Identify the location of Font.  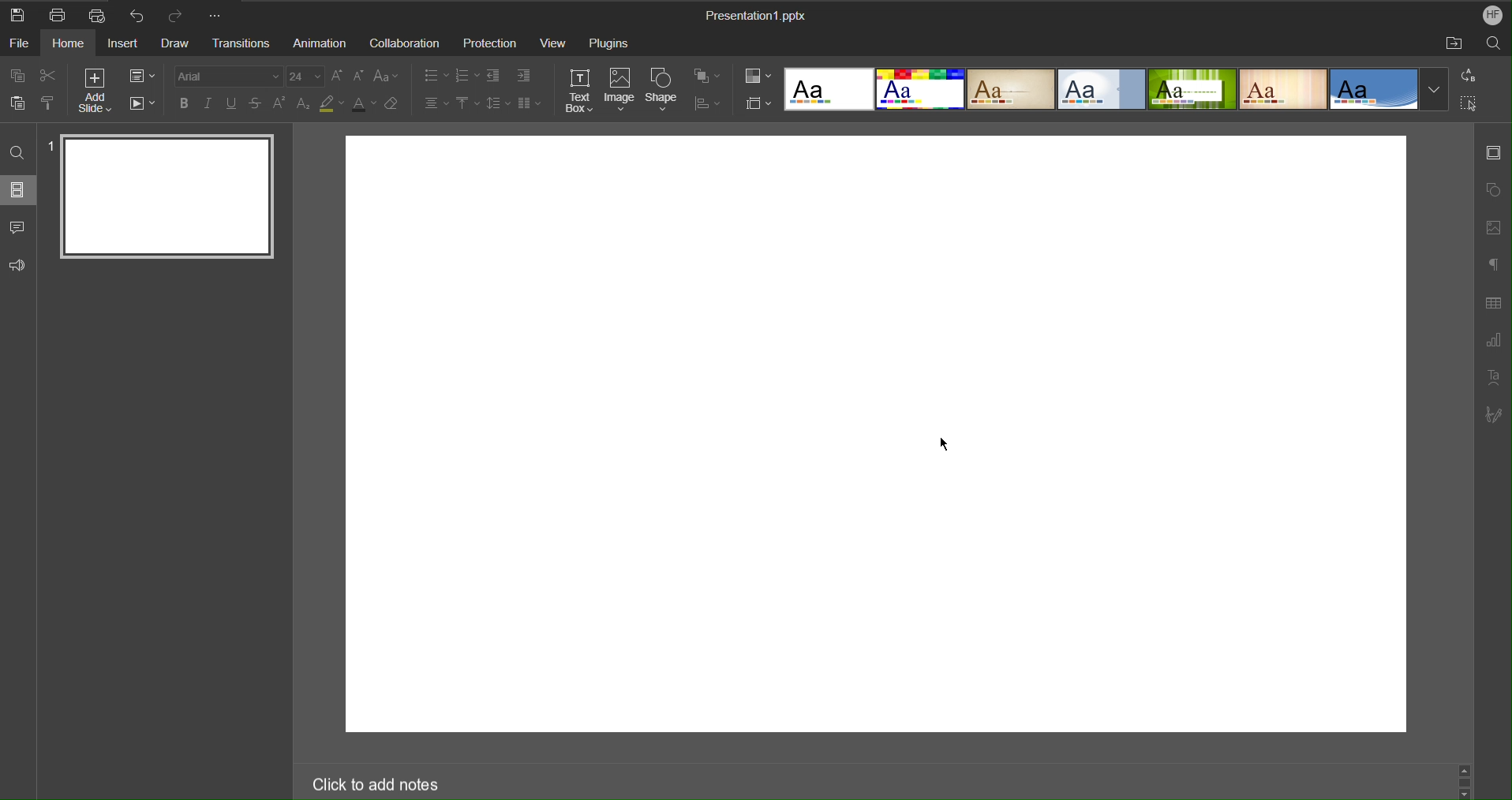
(230, 76).